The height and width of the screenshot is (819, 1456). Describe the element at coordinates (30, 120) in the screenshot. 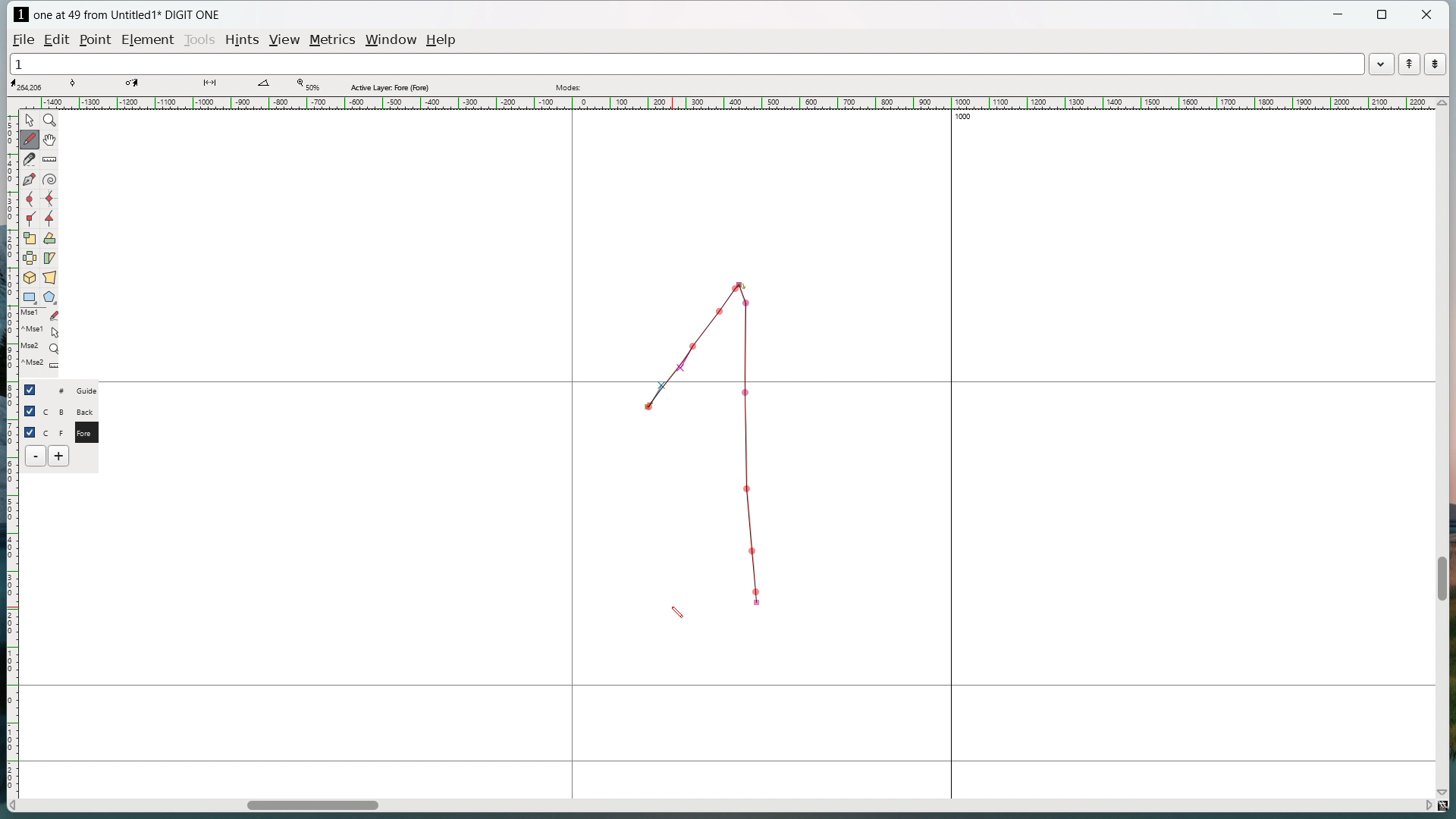

I see `pointer` at that location.